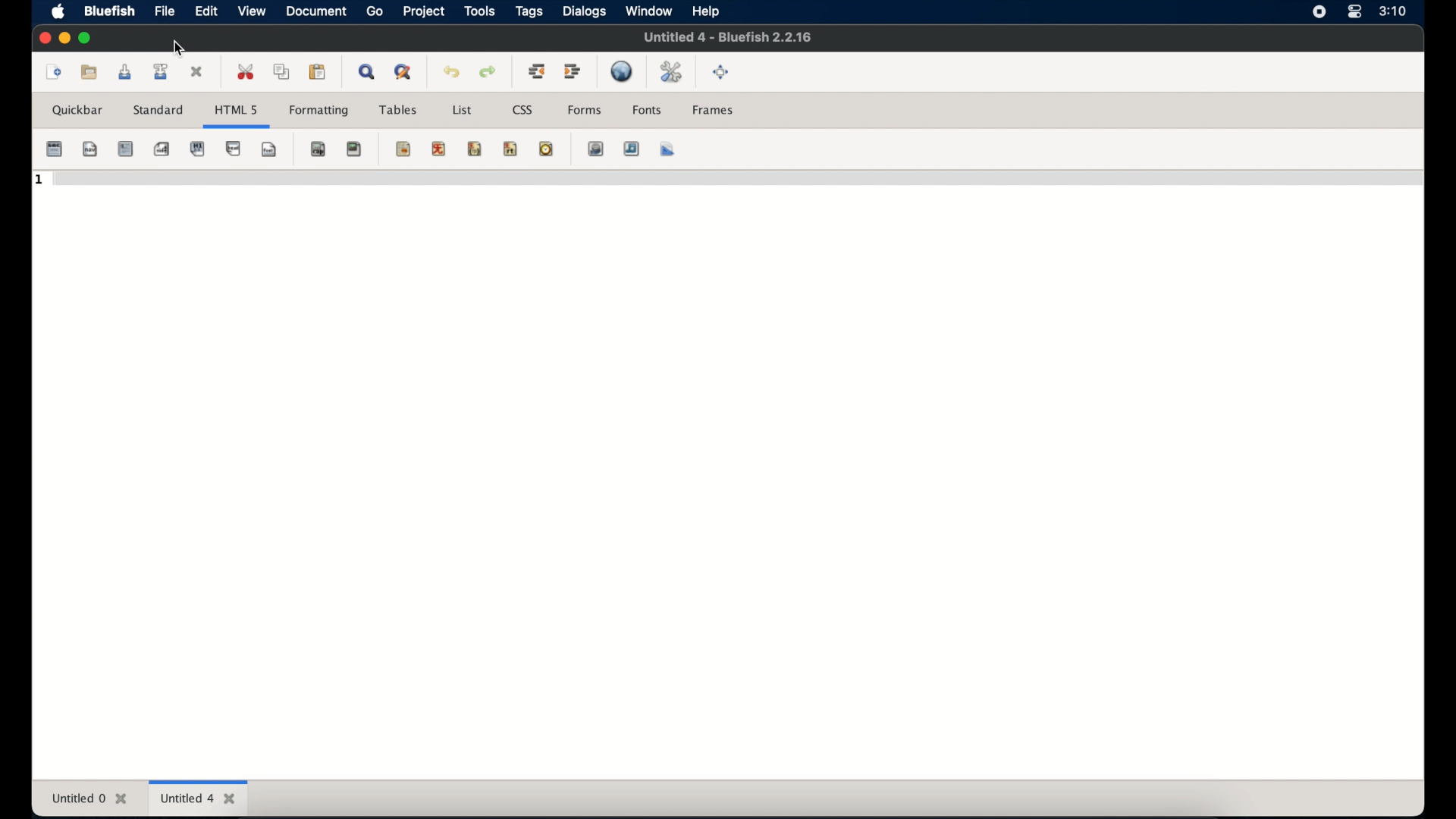  What do you see at coordinates (462, 110) in the screenshot?
I see `list` at bounding box center [462, 110].